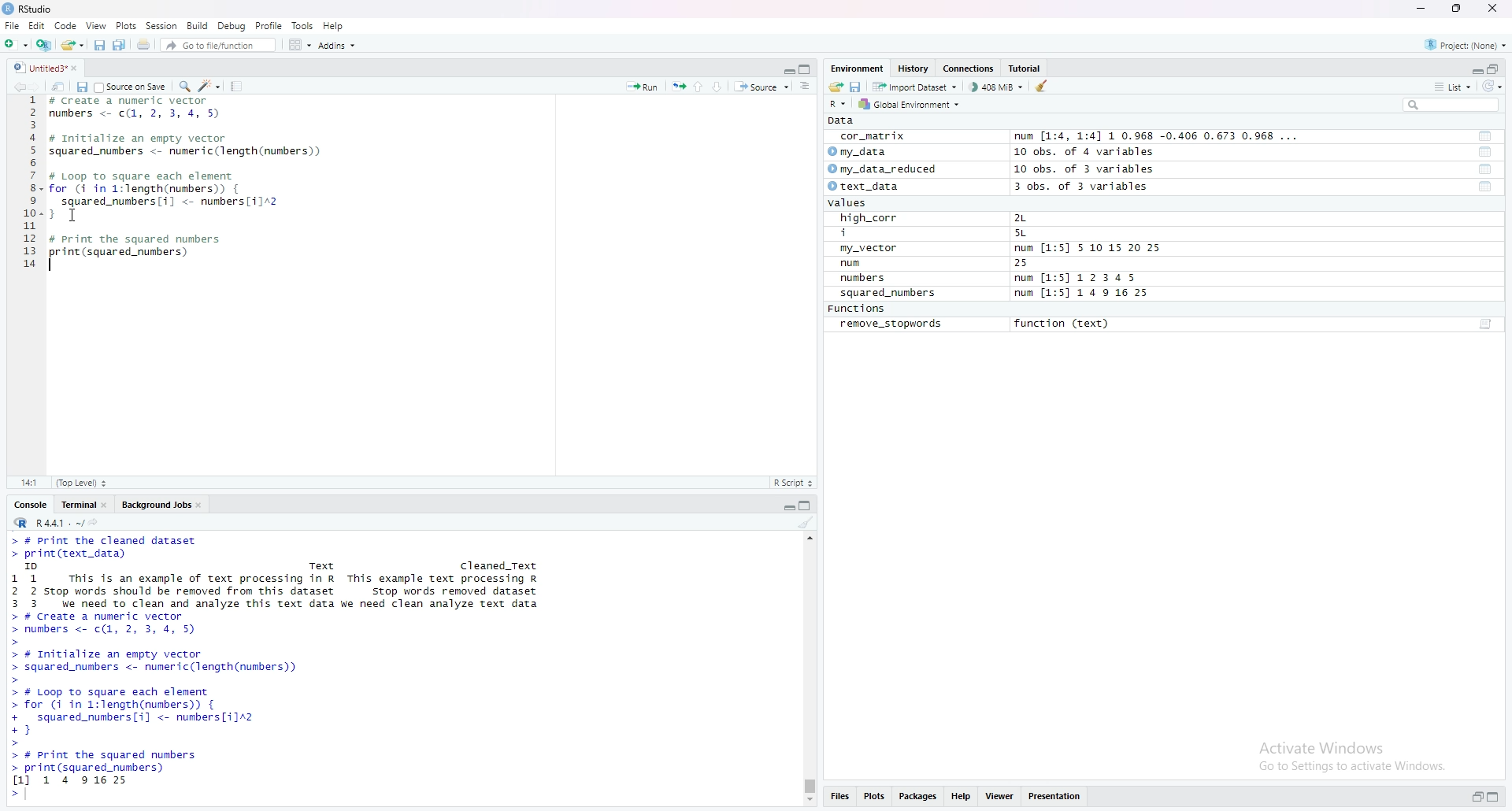 The width and height of the screenshot is (1512, 811). Describe the element at coordinates (76, 503) in the screenshot. I see `Terminal` at that location.